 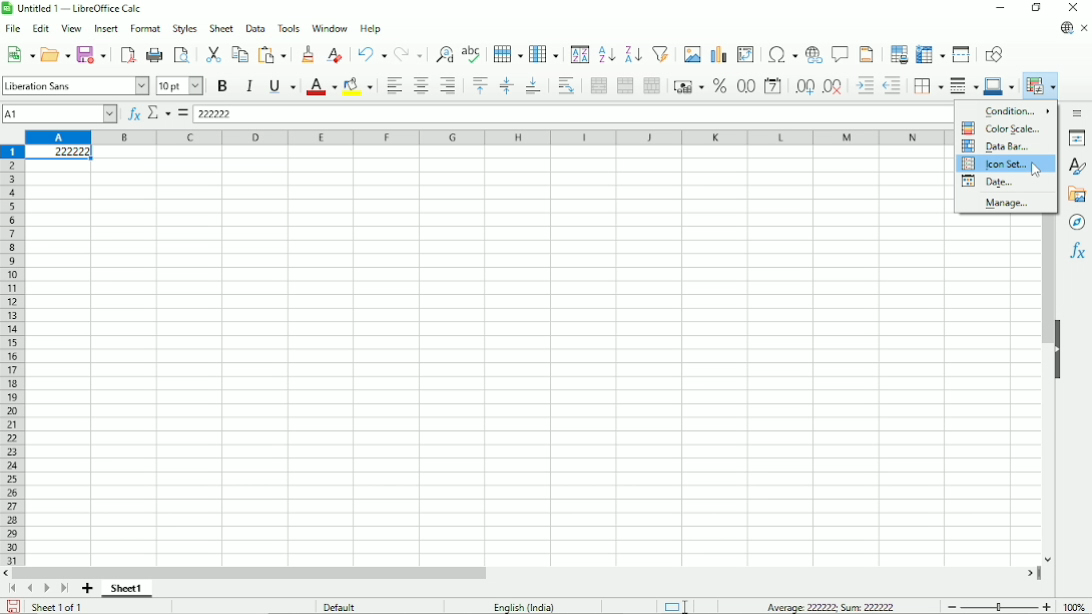 What do you see at coordinates (814, 55) in the screenshot?
I see `Insert hyperlink` at bounding box center [814, 55].